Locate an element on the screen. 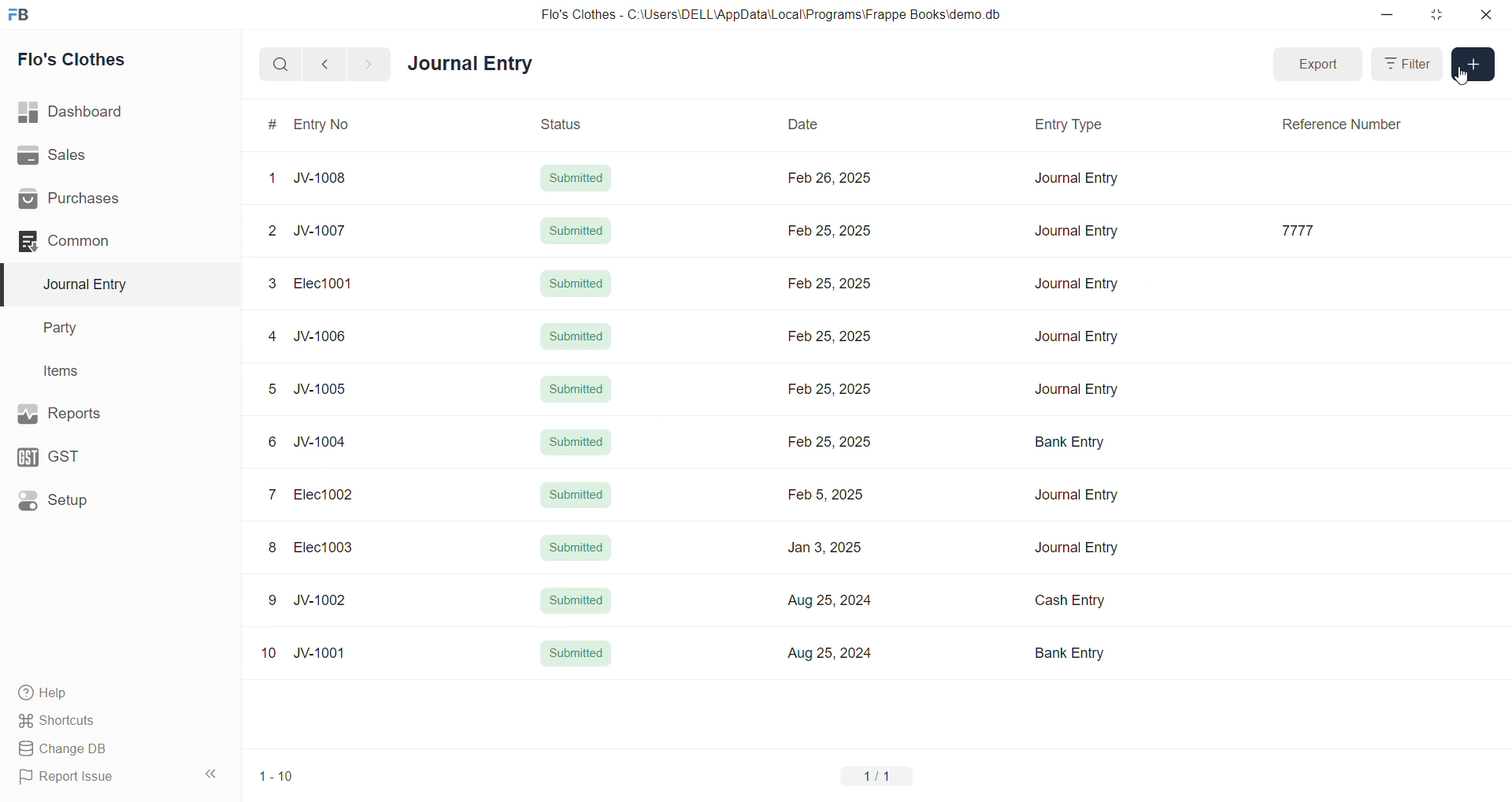 The width and height of the screenshot is (1512, 802). Entry Type is located at coordinates (1066, 126).